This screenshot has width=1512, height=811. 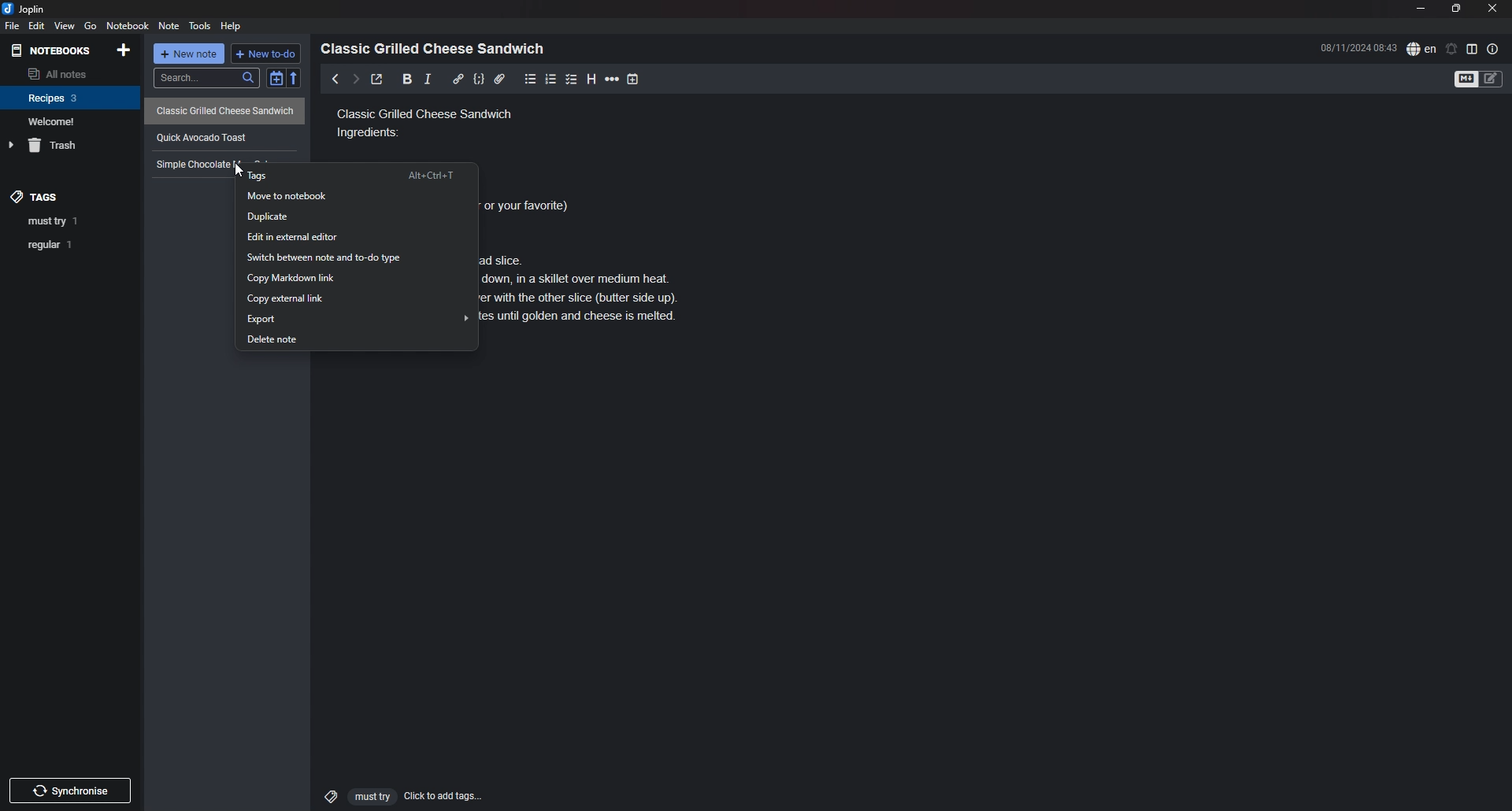 What do you see at coordinates (187, 165) in the screenshot?
I see `Text` at bounding box center [187, 165].